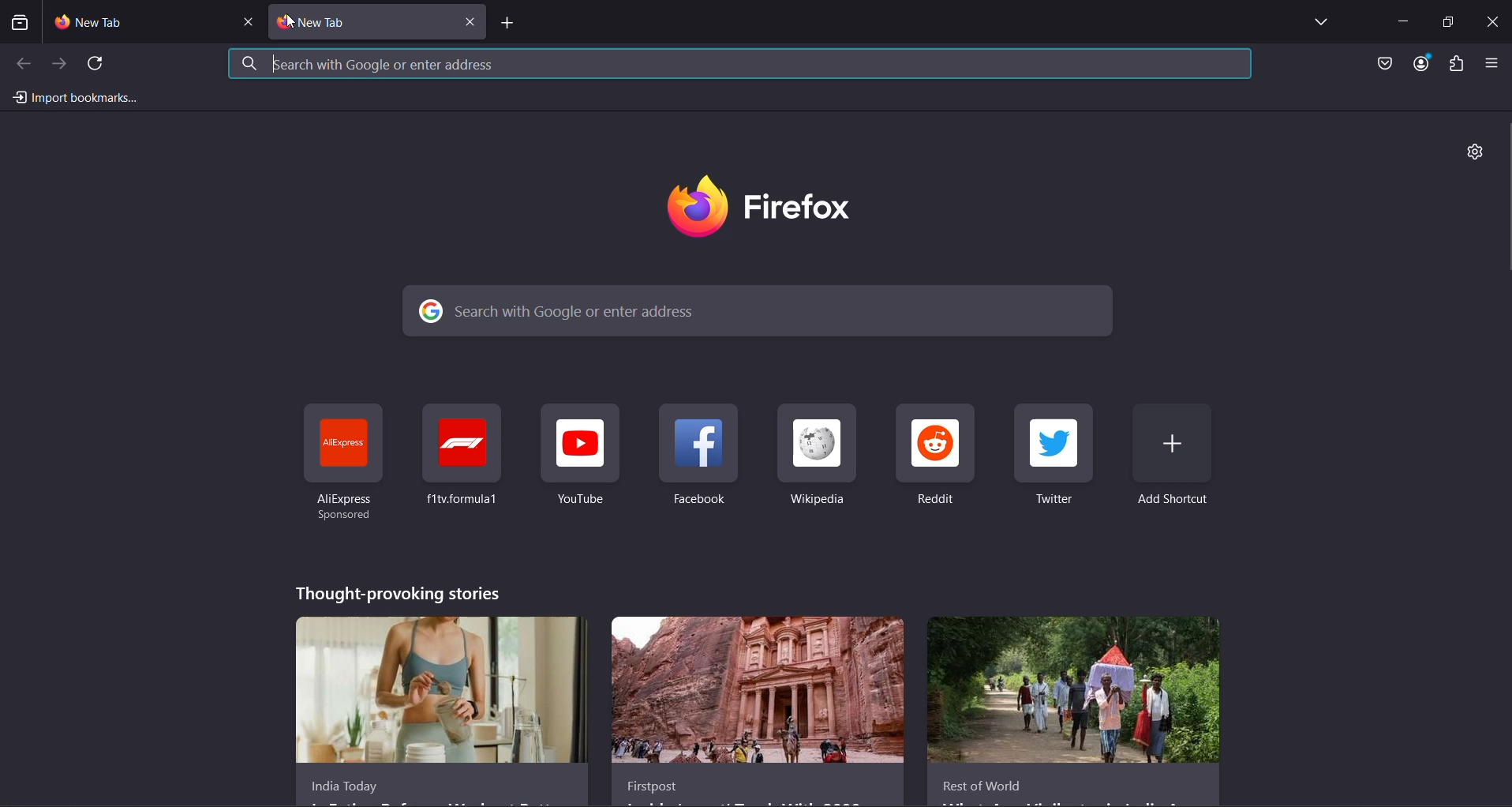 The height and width of the screenshot is (807, 1512). I want to click on extensions, so click(1458, 64).